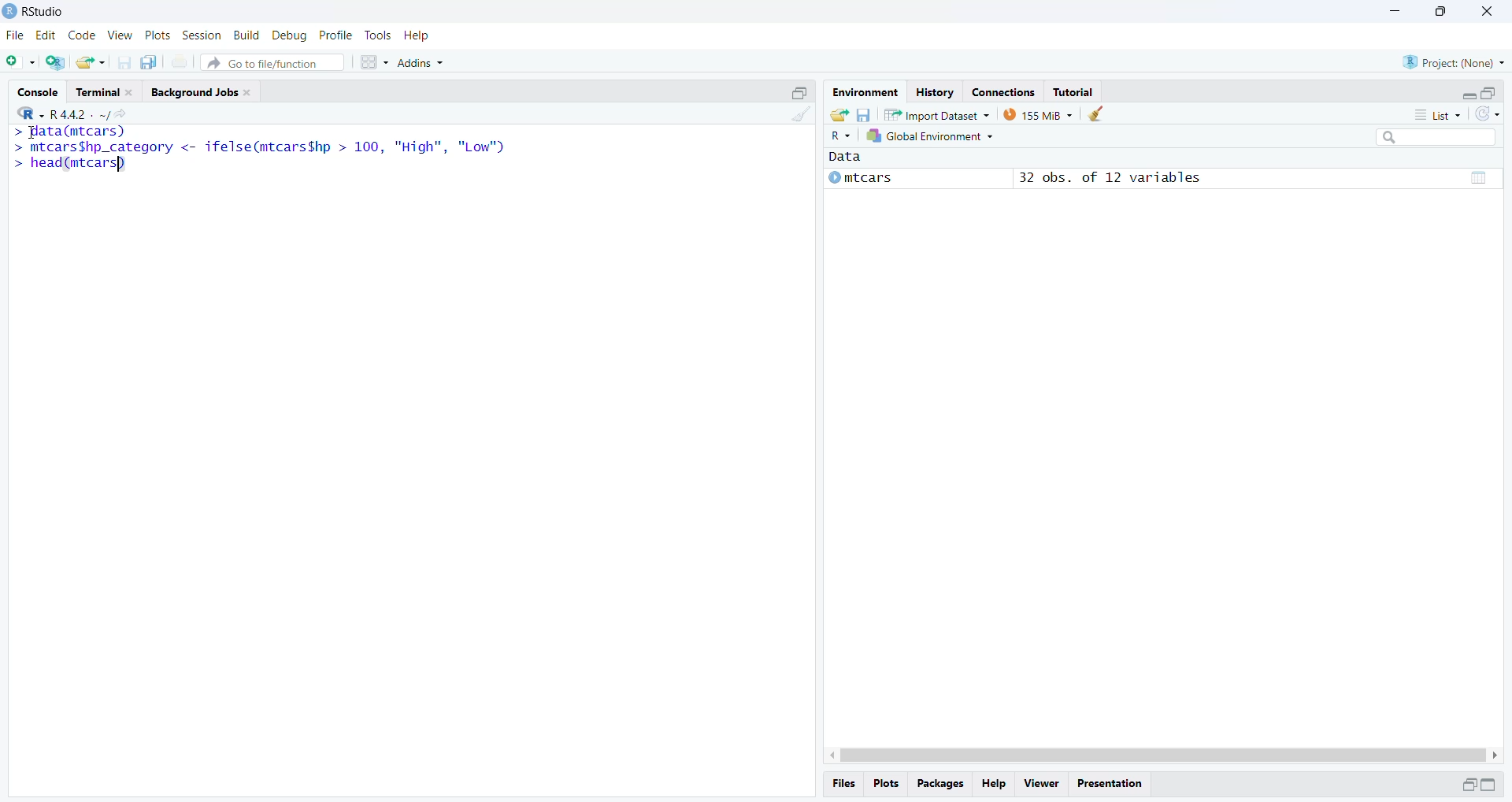 This screenshot has width=1512, height=802. What do you see at coordinates (425, 59) in the screenshot?
I see `Addins` at bounding box center [425, 59].